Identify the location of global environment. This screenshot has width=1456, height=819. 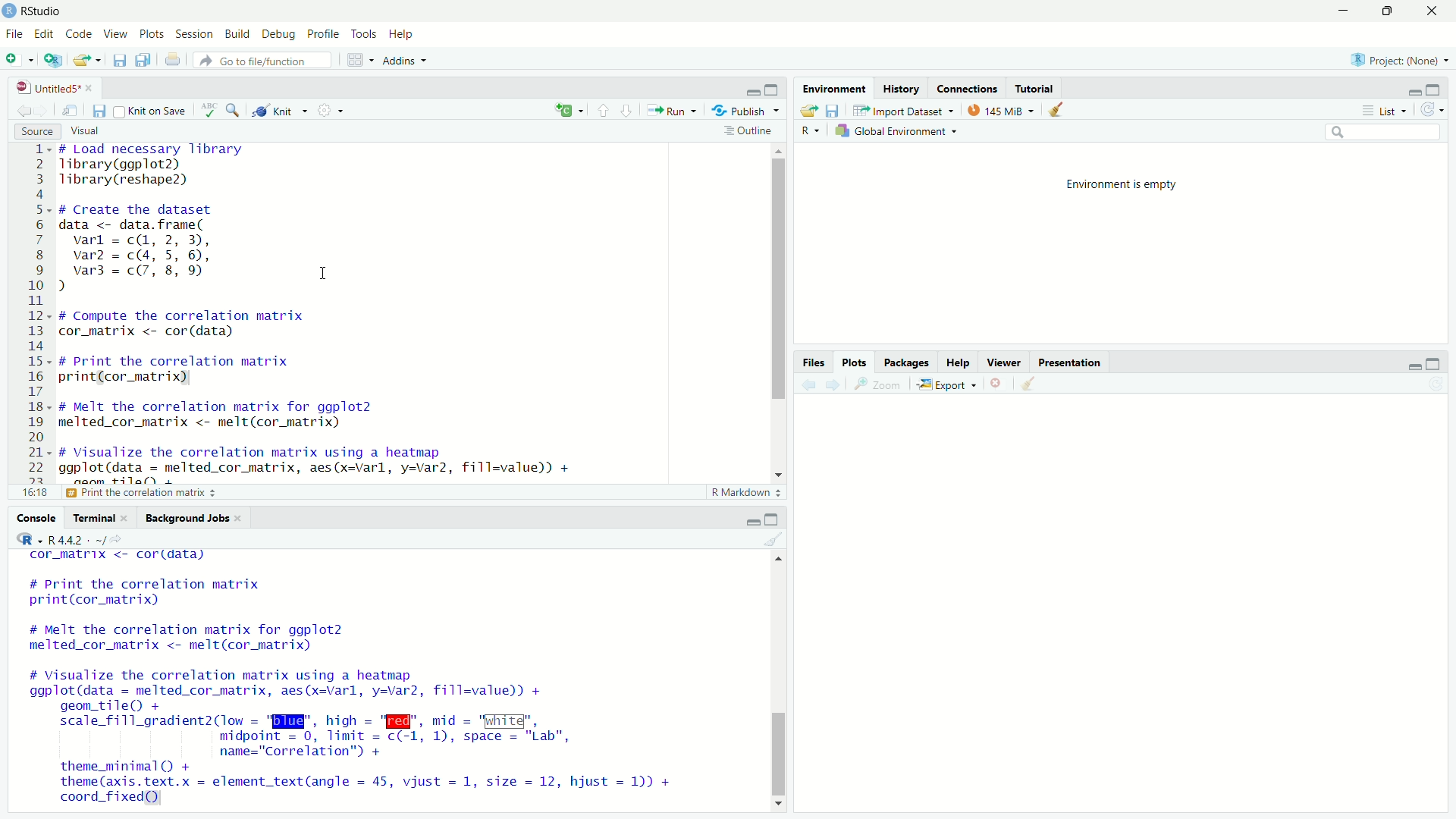
(896, 132).